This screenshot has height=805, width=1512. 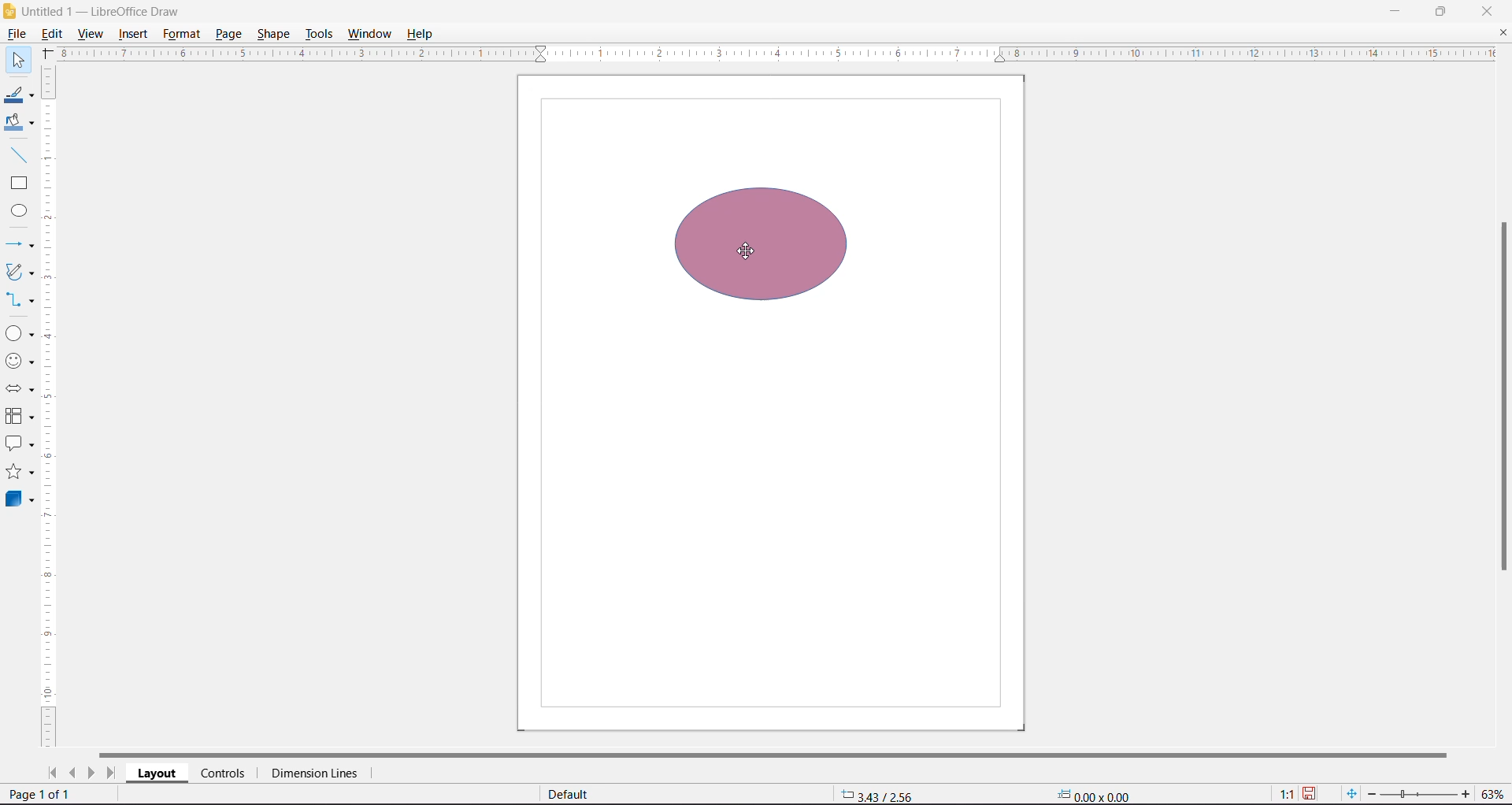 I want to click on 3D Objects, so click(x=20, y=500).